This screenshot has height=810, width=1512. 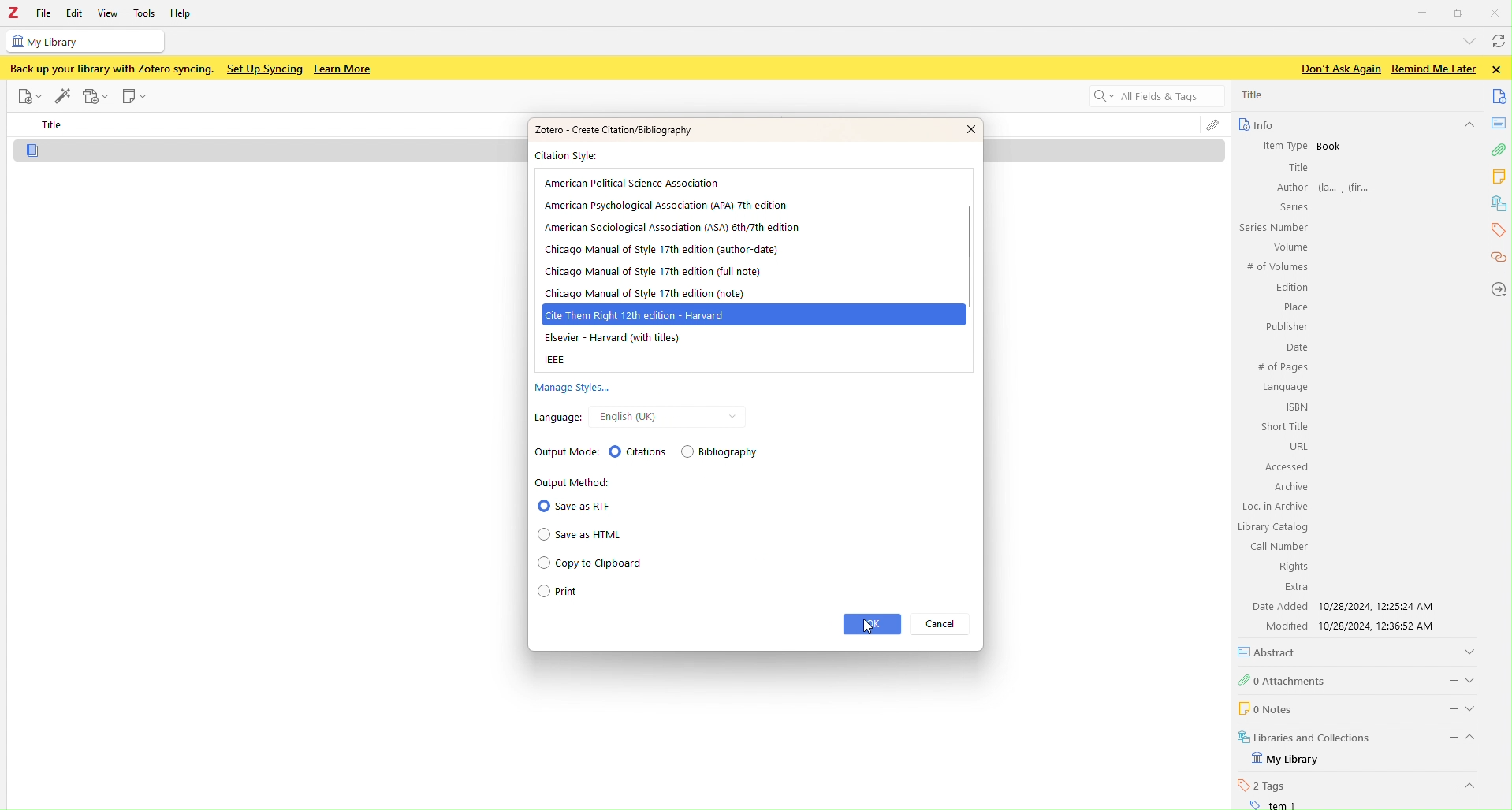 I want to click on Elsevier - Harvard (with titles), so click(x=611, y=339).